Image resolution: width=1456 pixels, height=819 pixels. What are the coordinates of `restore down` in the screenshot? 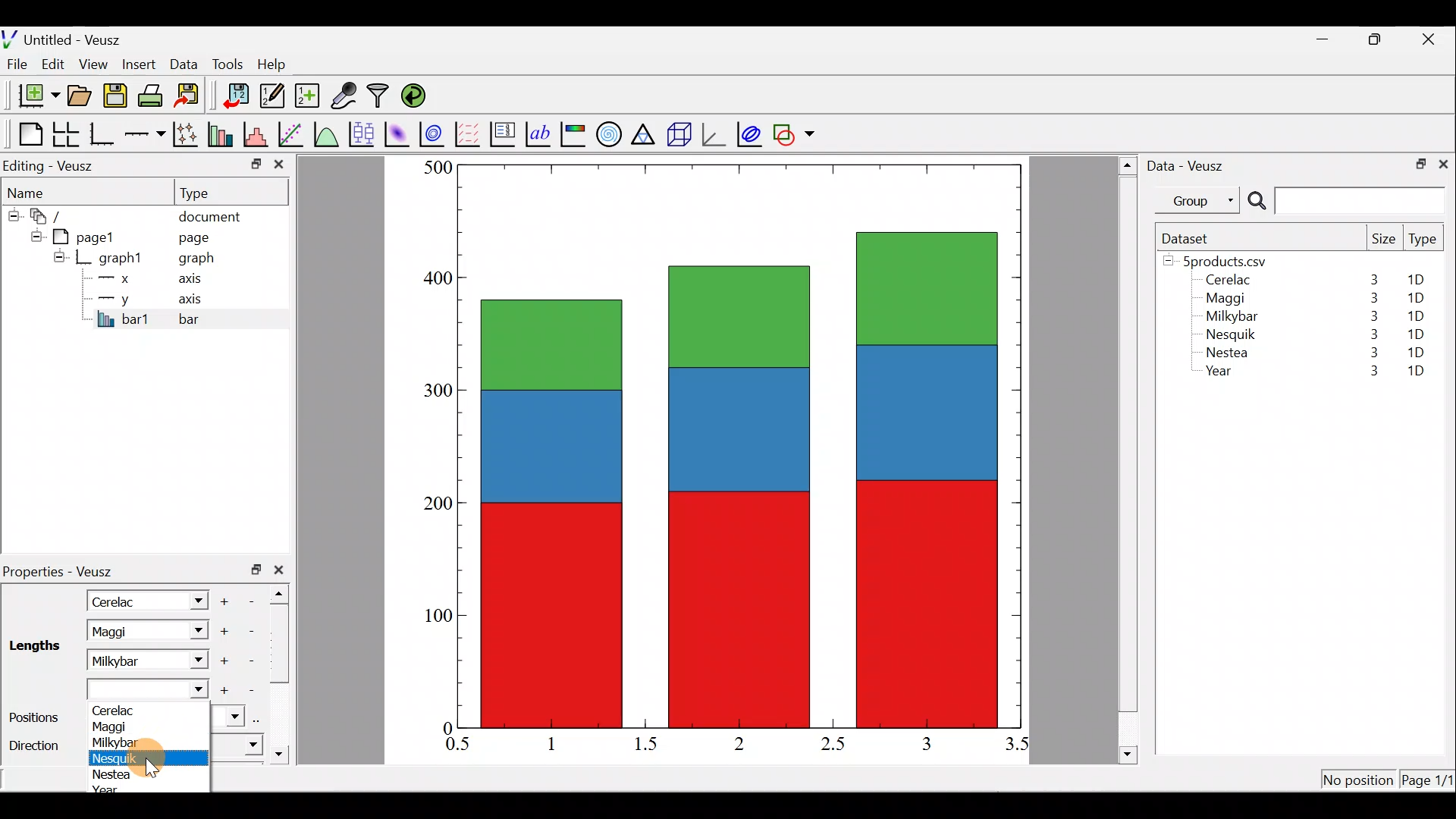 It's located at (1416, 162).